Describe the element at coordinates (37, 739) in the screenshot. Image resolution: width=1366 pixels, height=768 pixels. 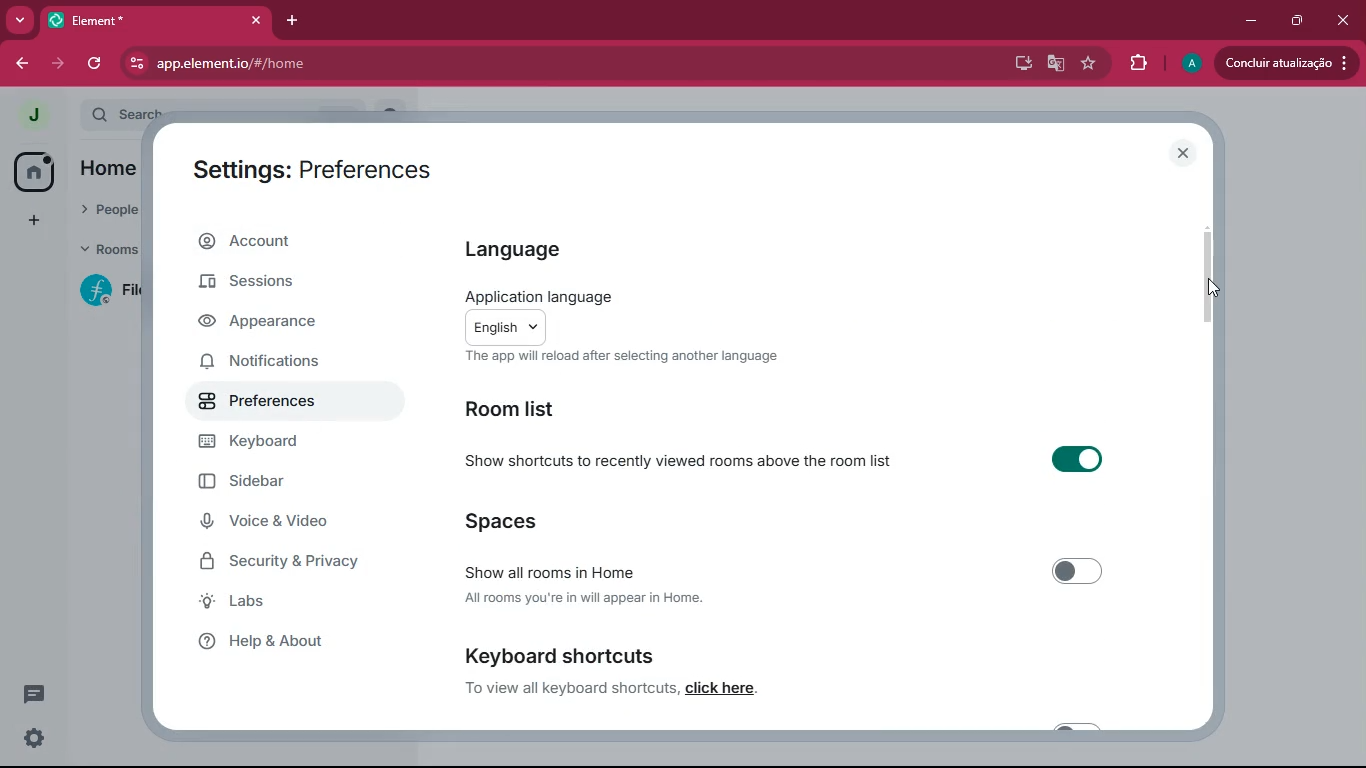
I see `settings` at that location.